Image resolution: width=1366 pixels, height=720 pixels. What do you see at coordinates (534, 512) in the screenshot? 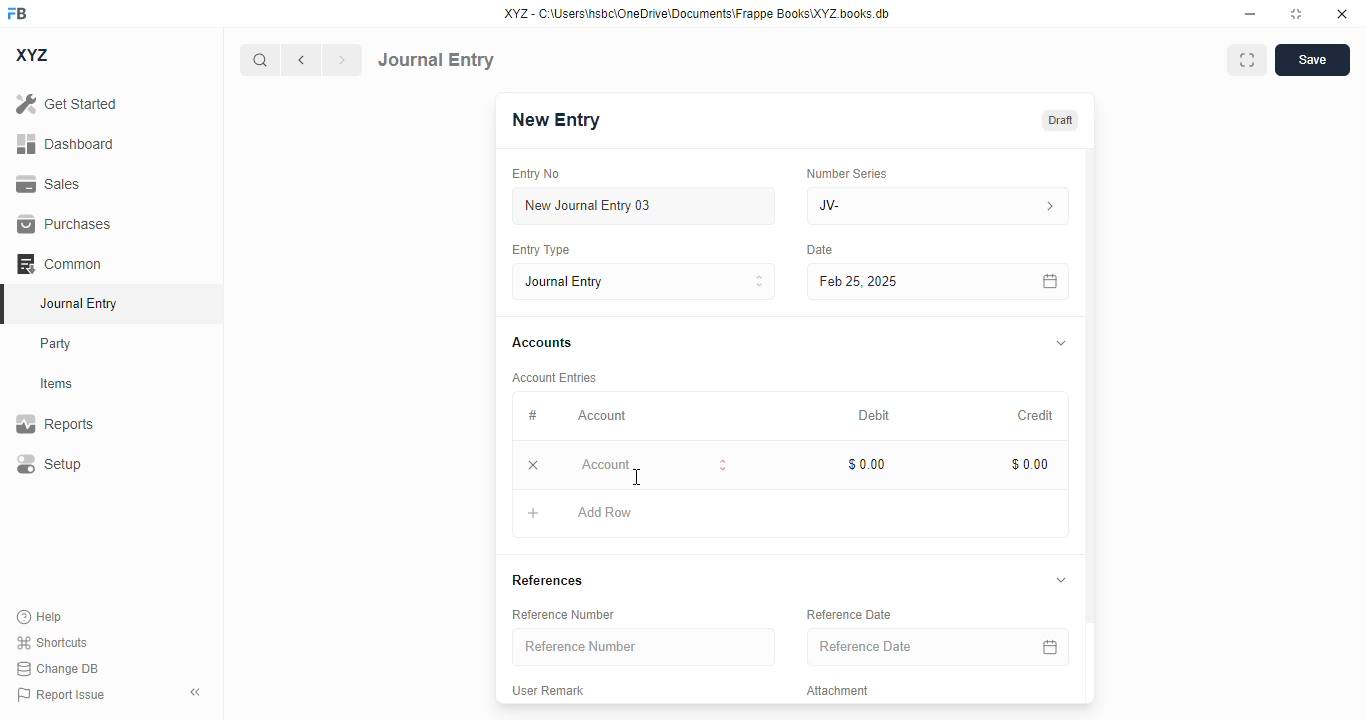
I see `add` at bounding box center [534, 512].